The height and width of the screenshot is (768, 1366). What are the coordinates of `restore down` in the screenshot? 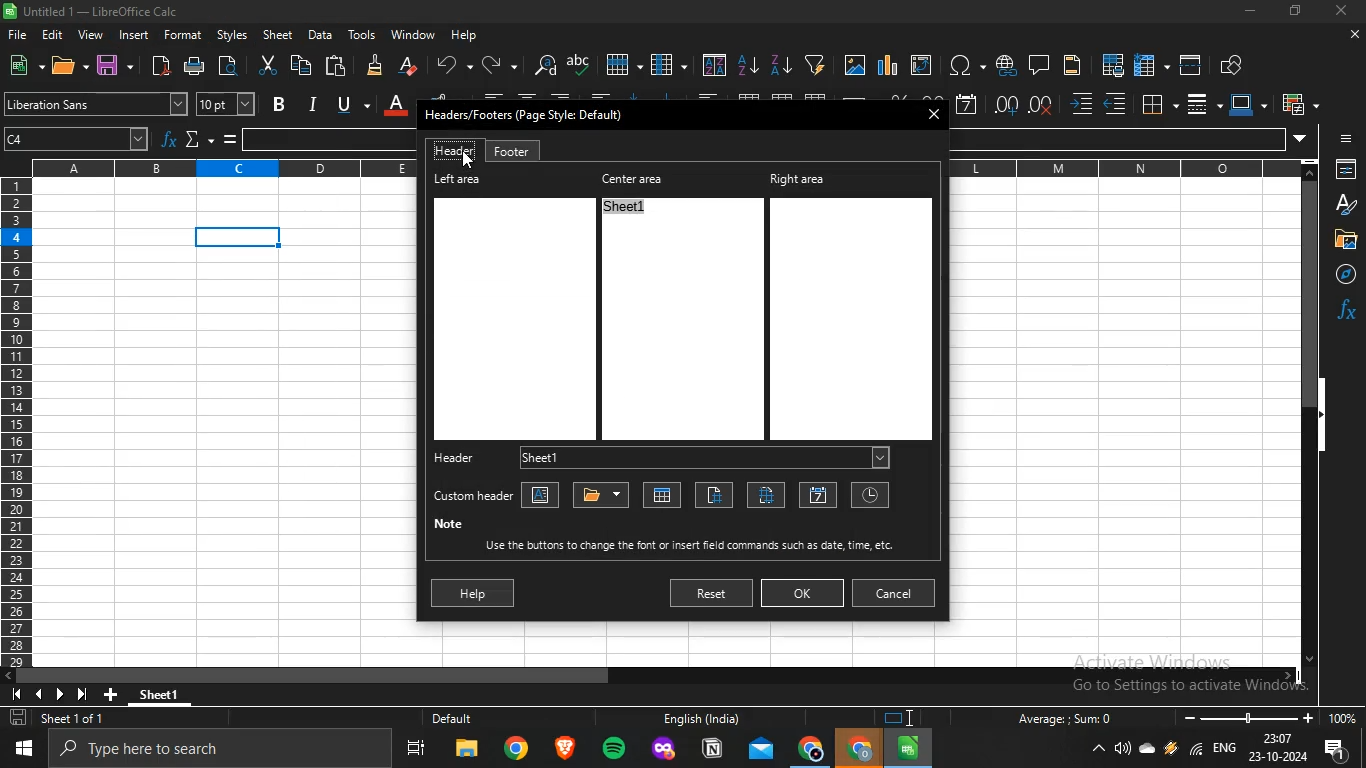 It's located at (1295, 12).